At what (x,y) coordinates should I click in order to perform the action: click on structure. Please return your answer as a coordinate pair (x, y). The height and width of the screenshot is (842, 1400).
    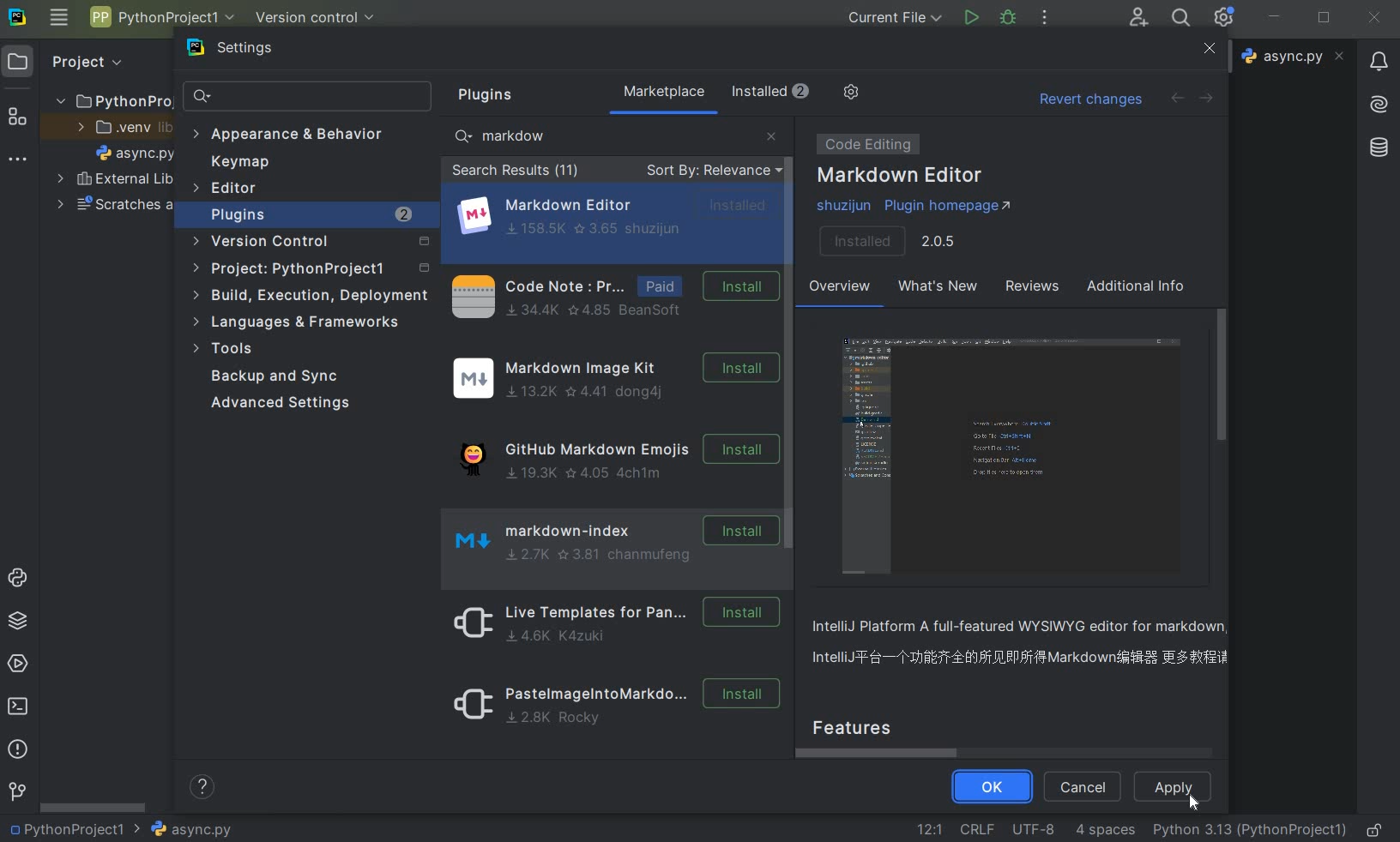
    Looking at the image, I should click on (18, 114).